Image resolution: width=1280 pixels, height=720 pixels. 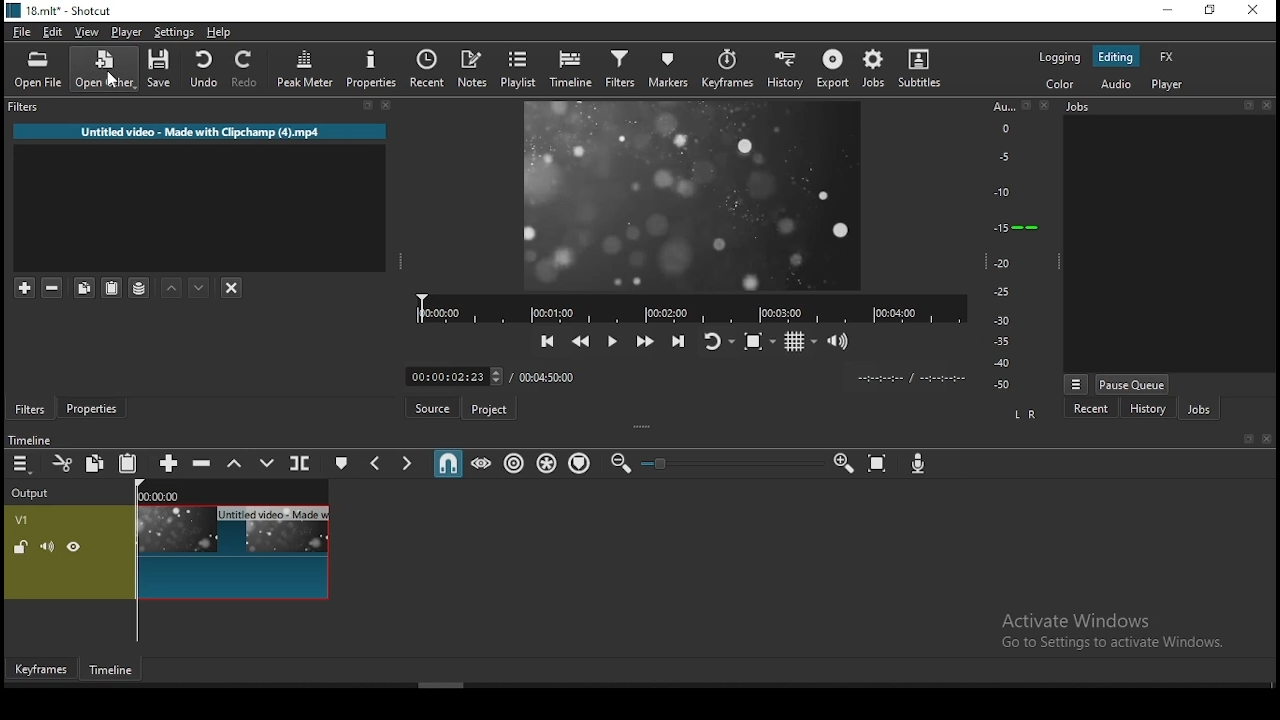 I want to click on toggle grid display on player, so click(x=799, y=344).